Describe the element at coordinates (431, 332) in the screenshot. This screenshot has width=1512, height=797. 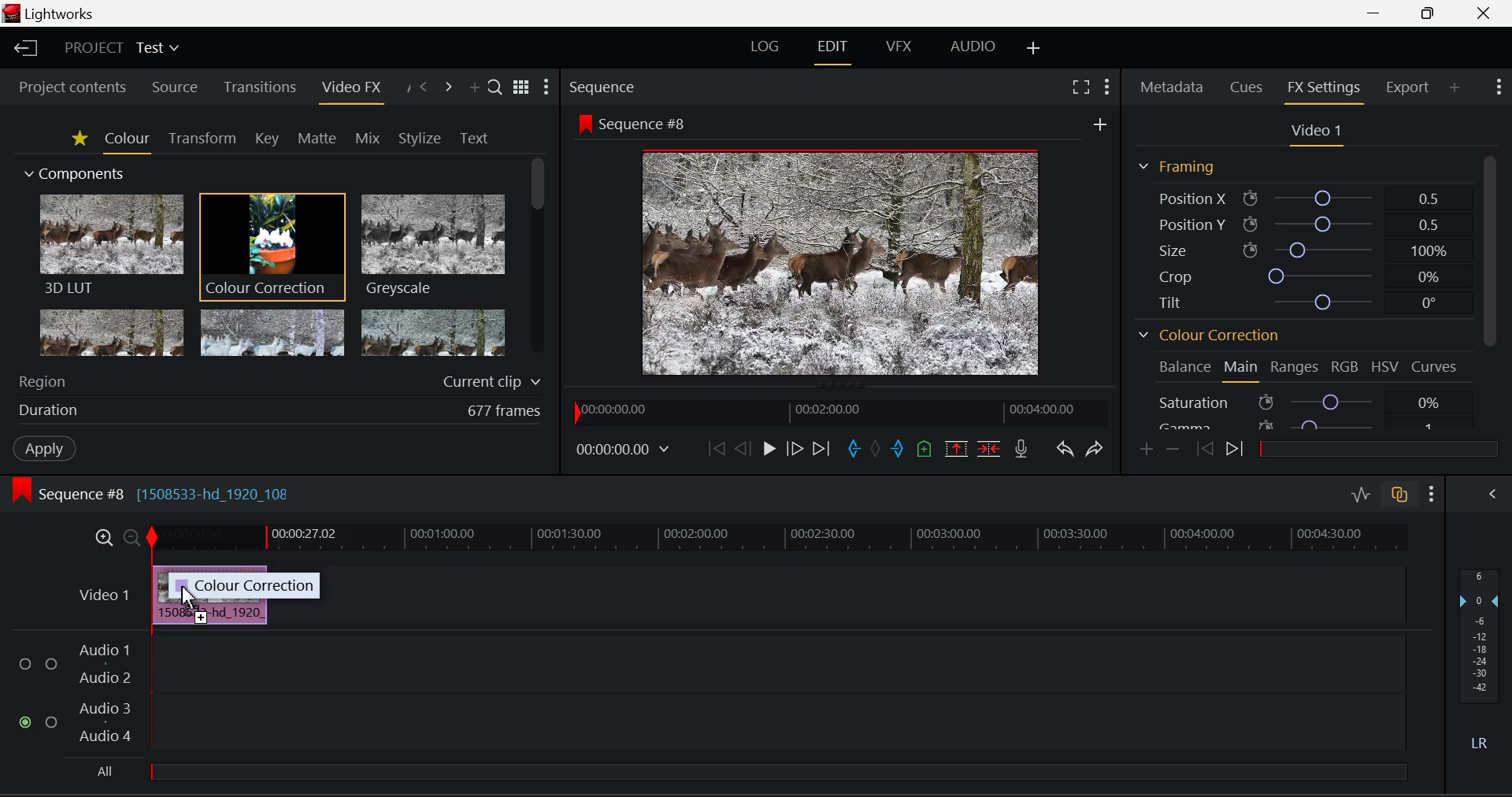
I see `Posterize` at that location.